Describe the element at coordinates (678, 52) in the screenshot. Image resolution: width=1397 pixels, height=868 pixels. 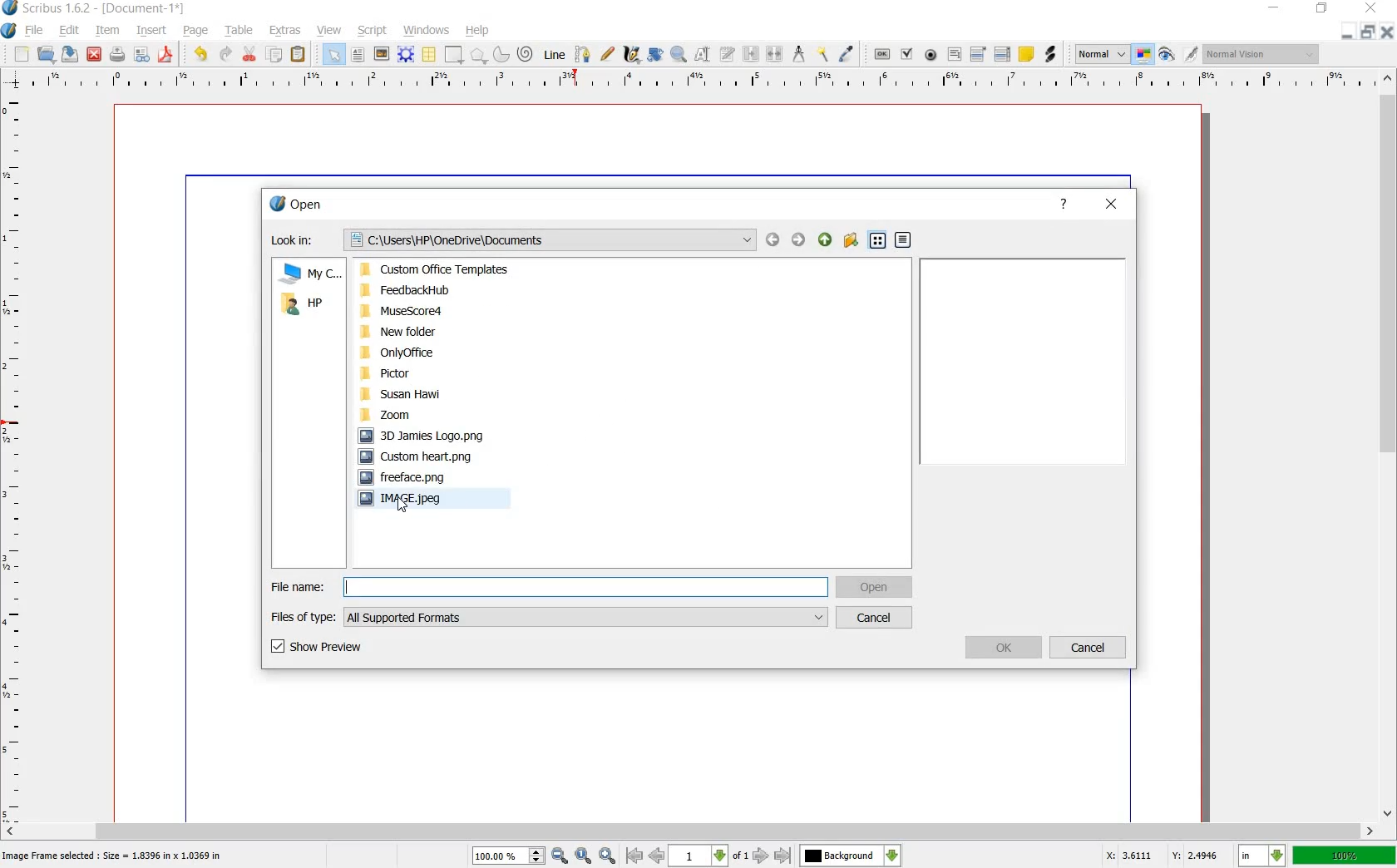
I see `zoom in or out` at that location.